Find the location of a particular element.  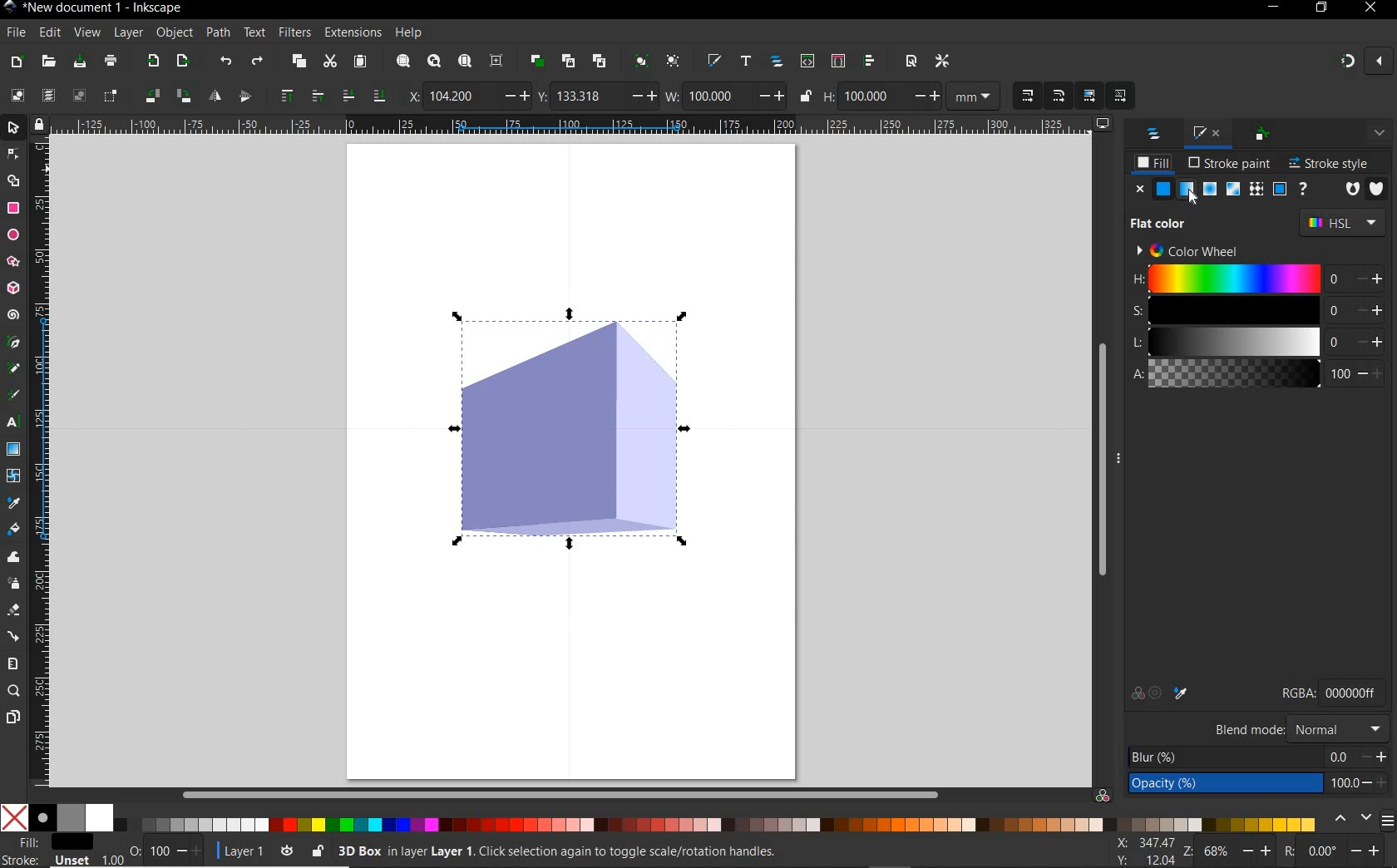

ZOOM DRAWING is located at coordinates (434, 62).